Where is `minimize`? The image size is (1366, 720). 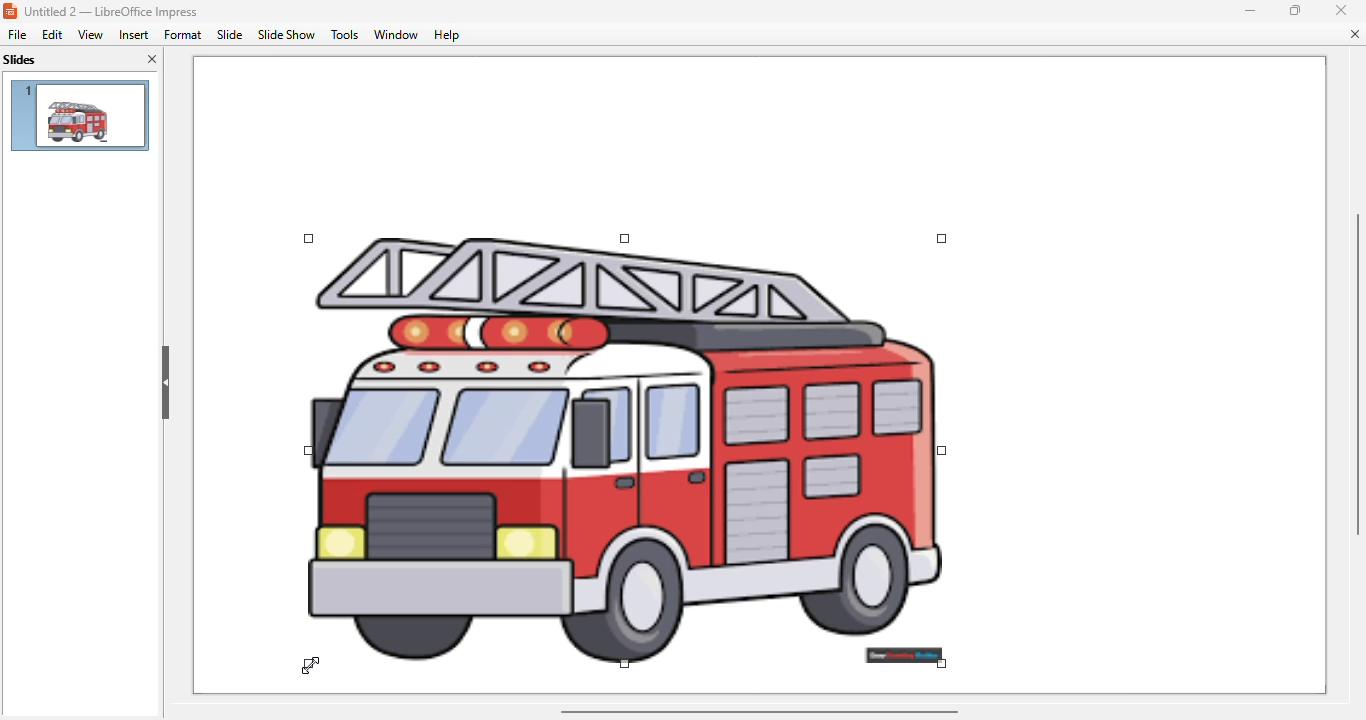 minimize is located at coordinates (1251, 11).